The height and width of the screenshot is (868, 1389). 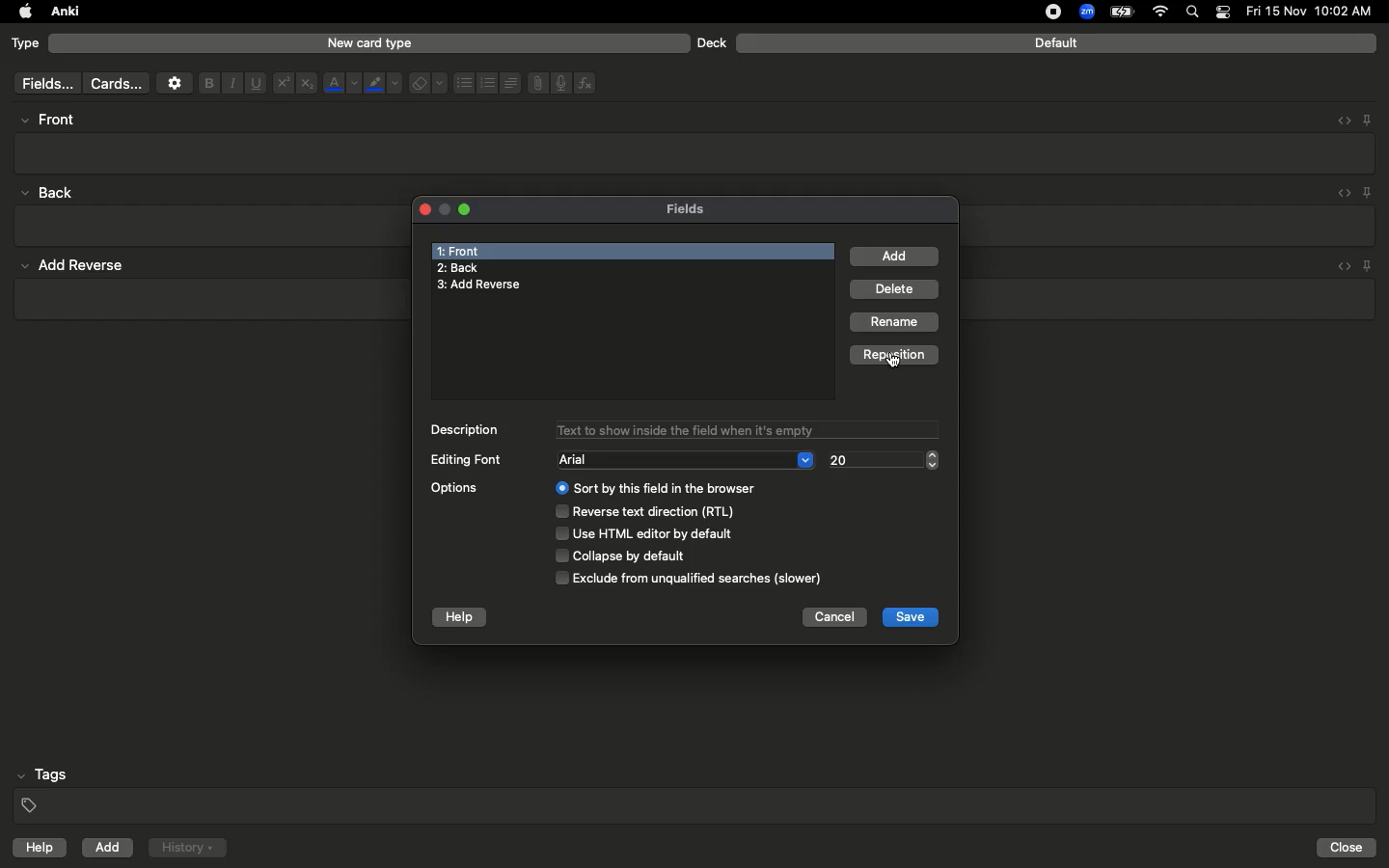 I want to click on Add, so click(x=895, y=257).